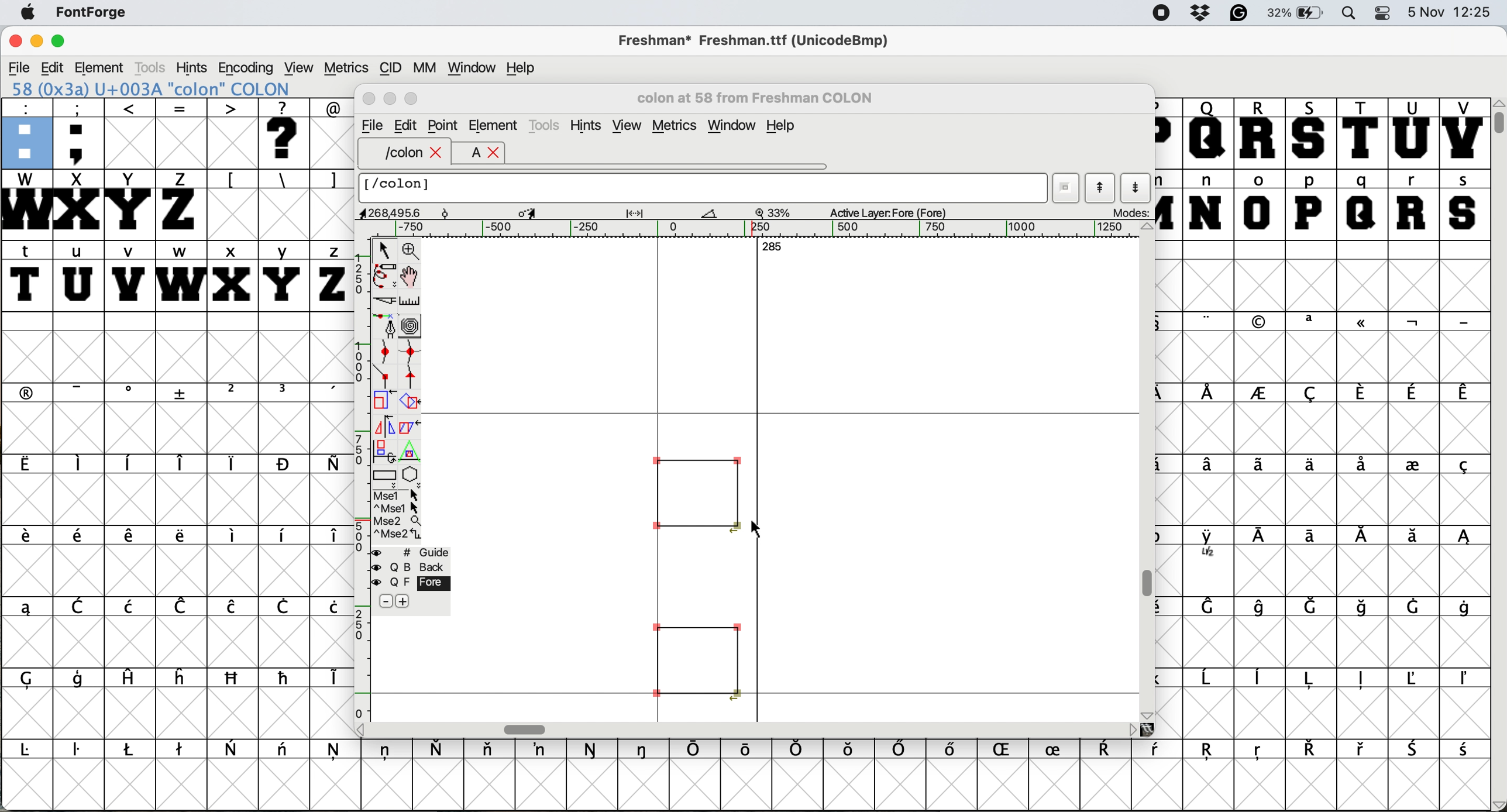 The image size is (1507, 812). Describe the element at coordinates (180, 133) in the screenshot. I see `=` at that location.